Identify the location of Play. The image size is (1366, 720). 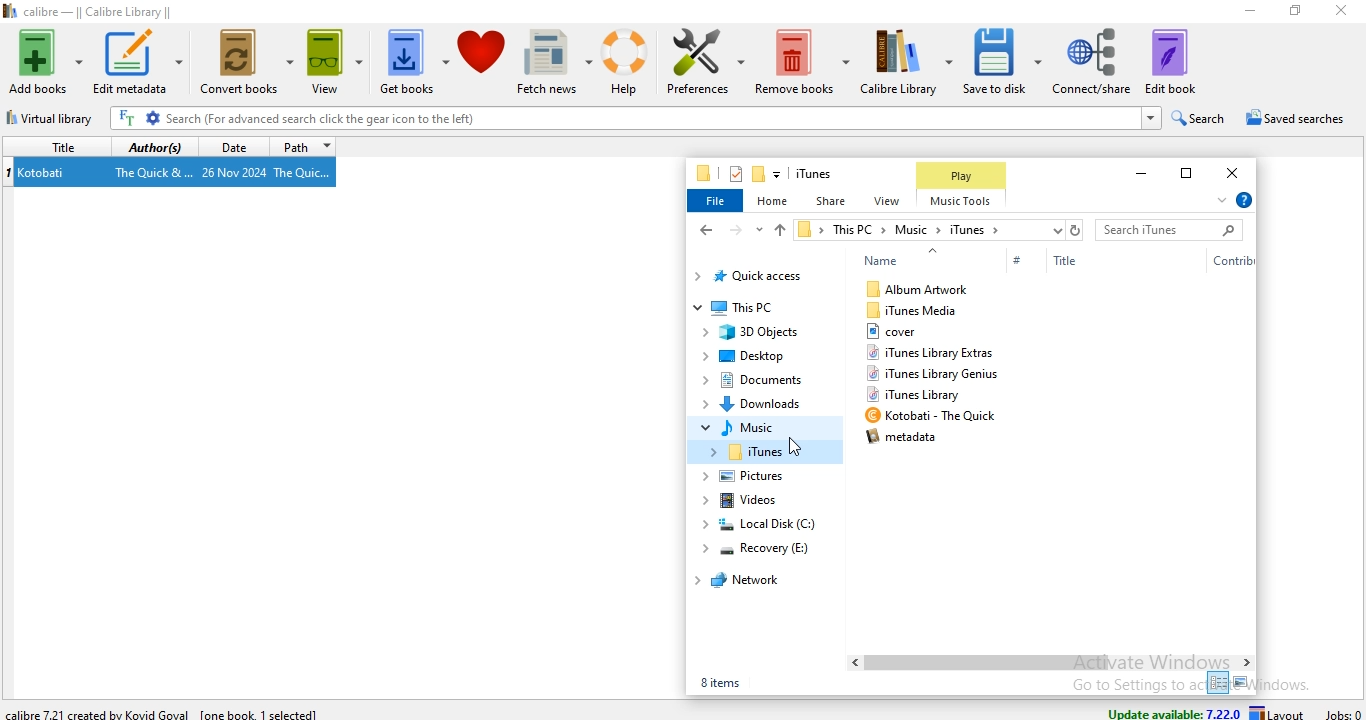
(953, 174).